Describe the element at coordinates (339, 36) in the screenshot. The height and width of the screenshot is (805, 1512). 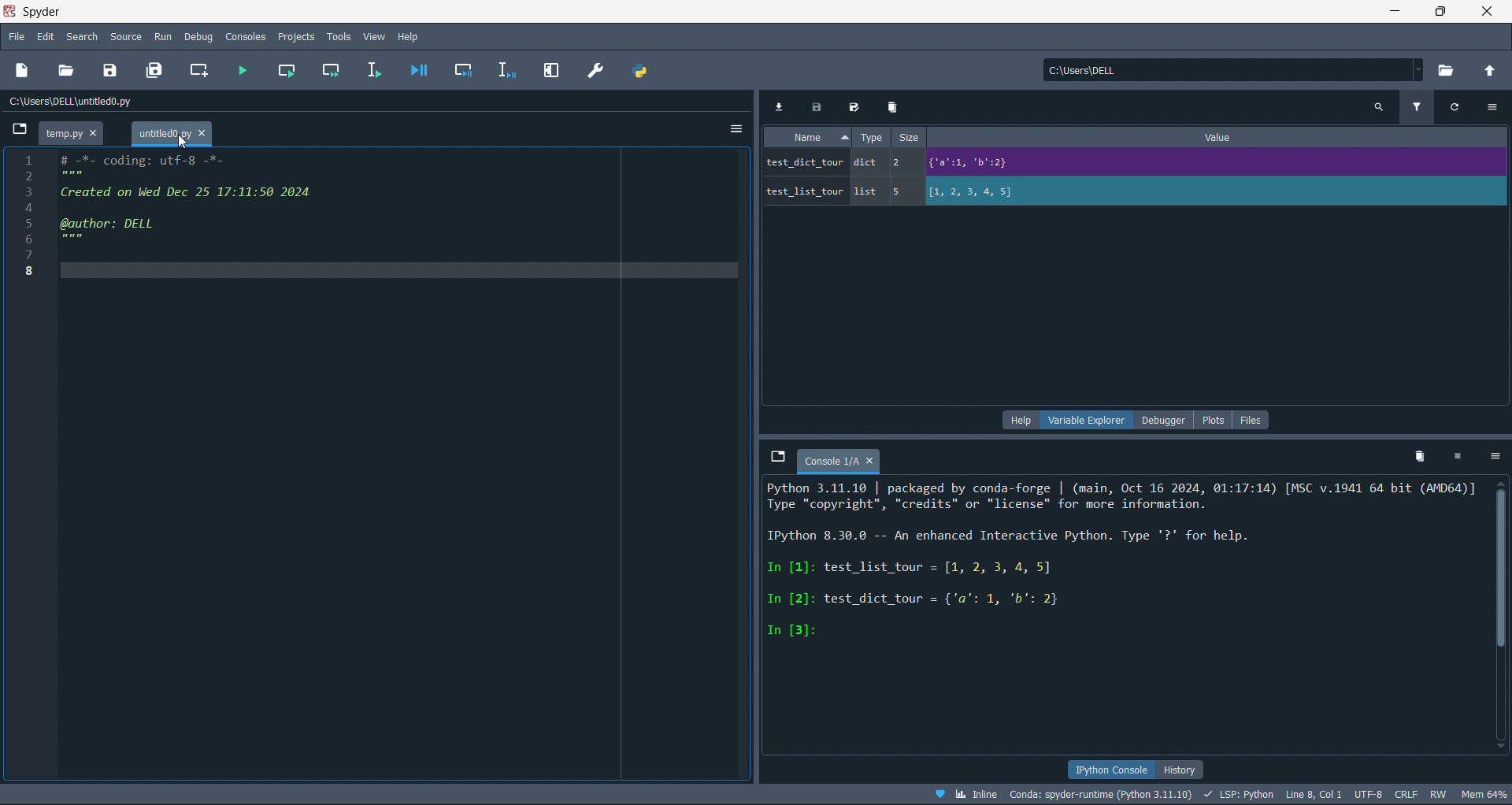
I see `tools` at that location.